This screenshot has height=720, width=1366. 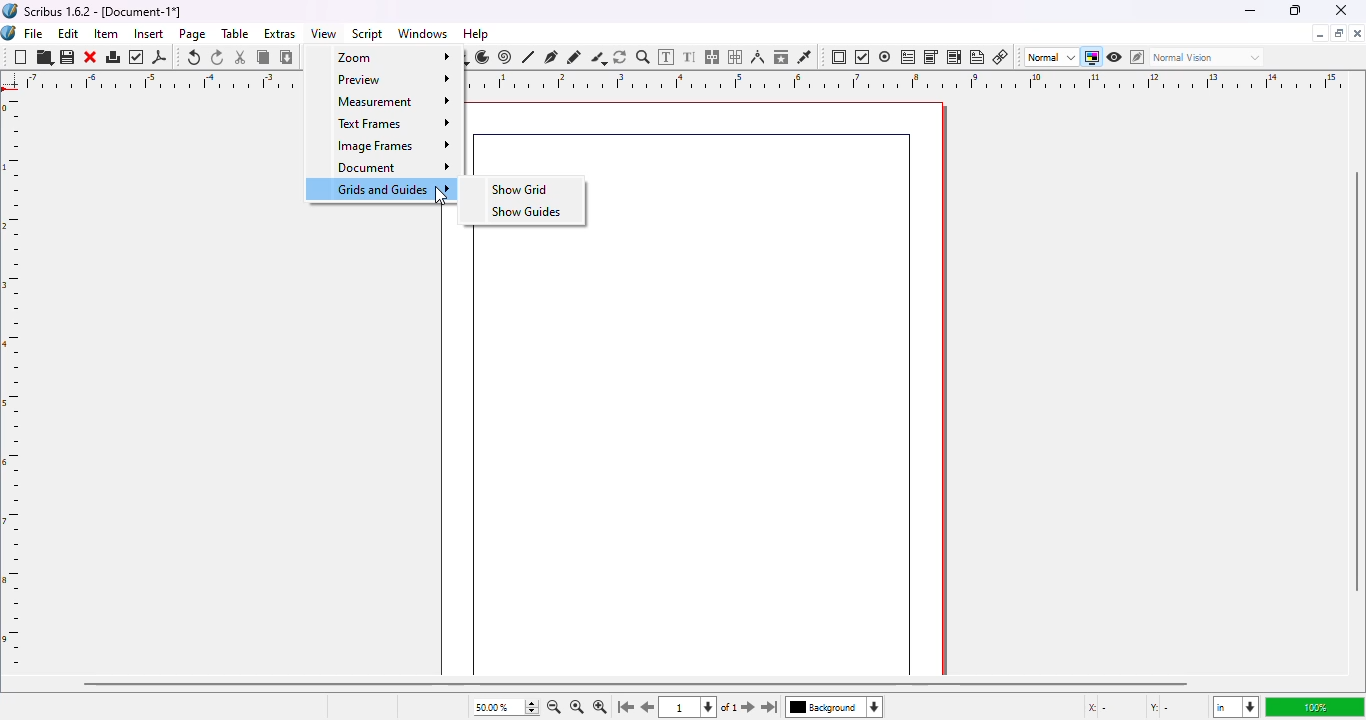 I want to click on document, so click(x=386, y=168).